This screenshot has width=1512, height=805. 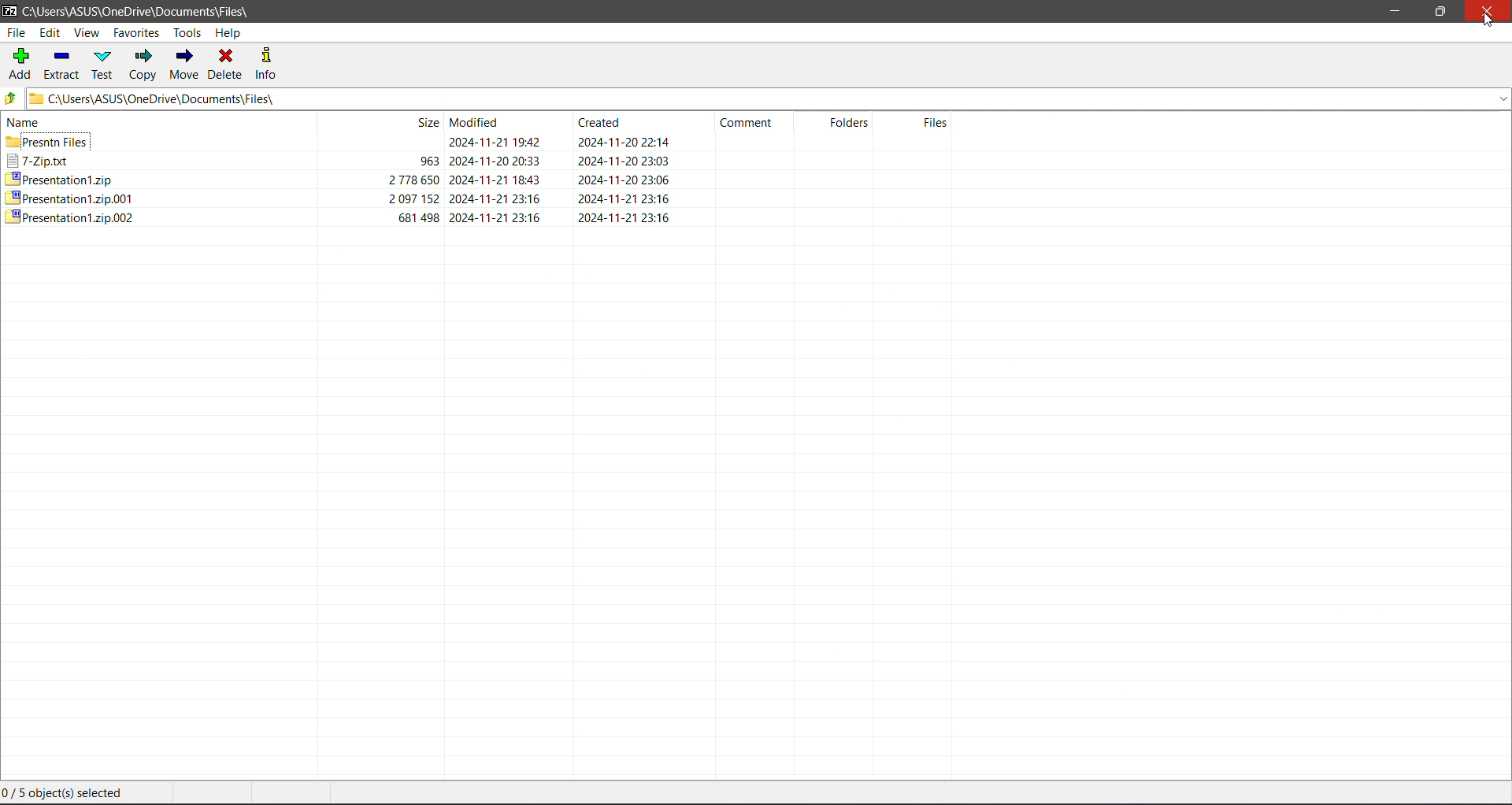 I want to click on 2097 152 2024-11-21 23:16 2024-11-21 23:16, so click(x=549, y=201).